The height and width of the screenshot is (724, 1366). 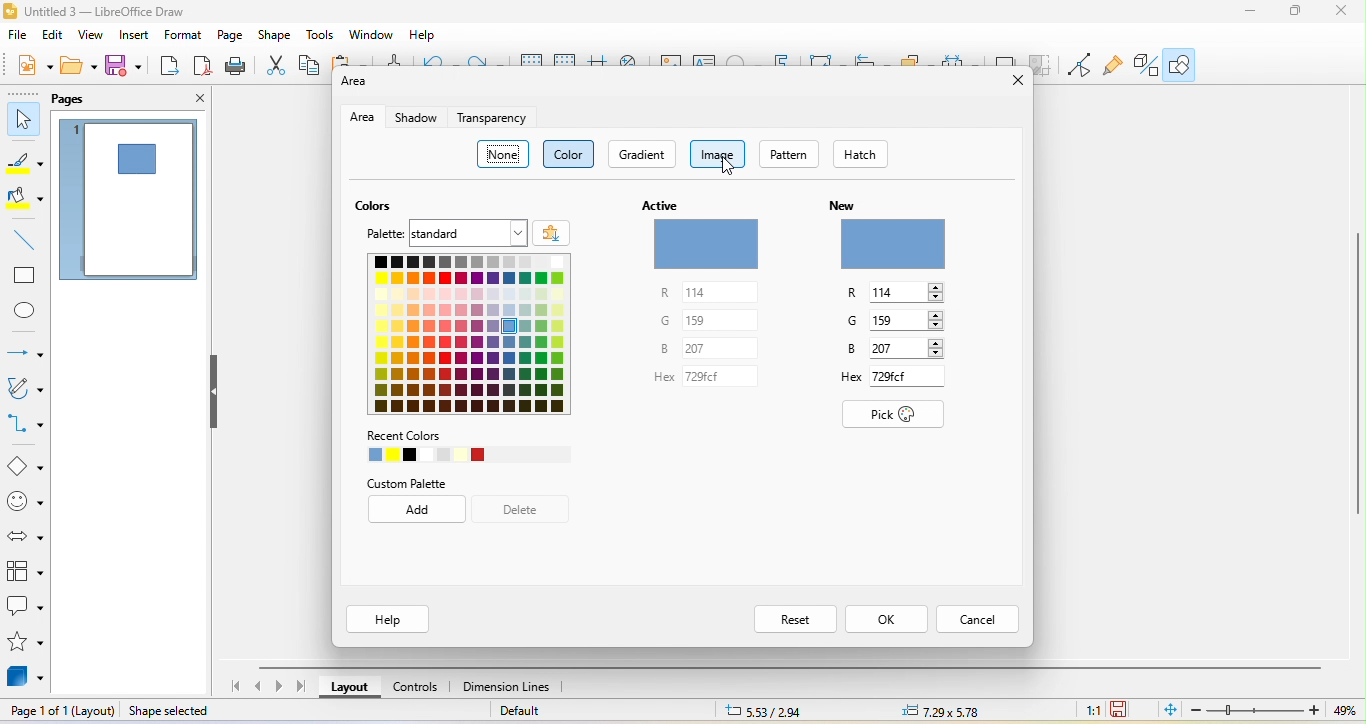 I want to click on since the last save, so click(x=1124, y=711).